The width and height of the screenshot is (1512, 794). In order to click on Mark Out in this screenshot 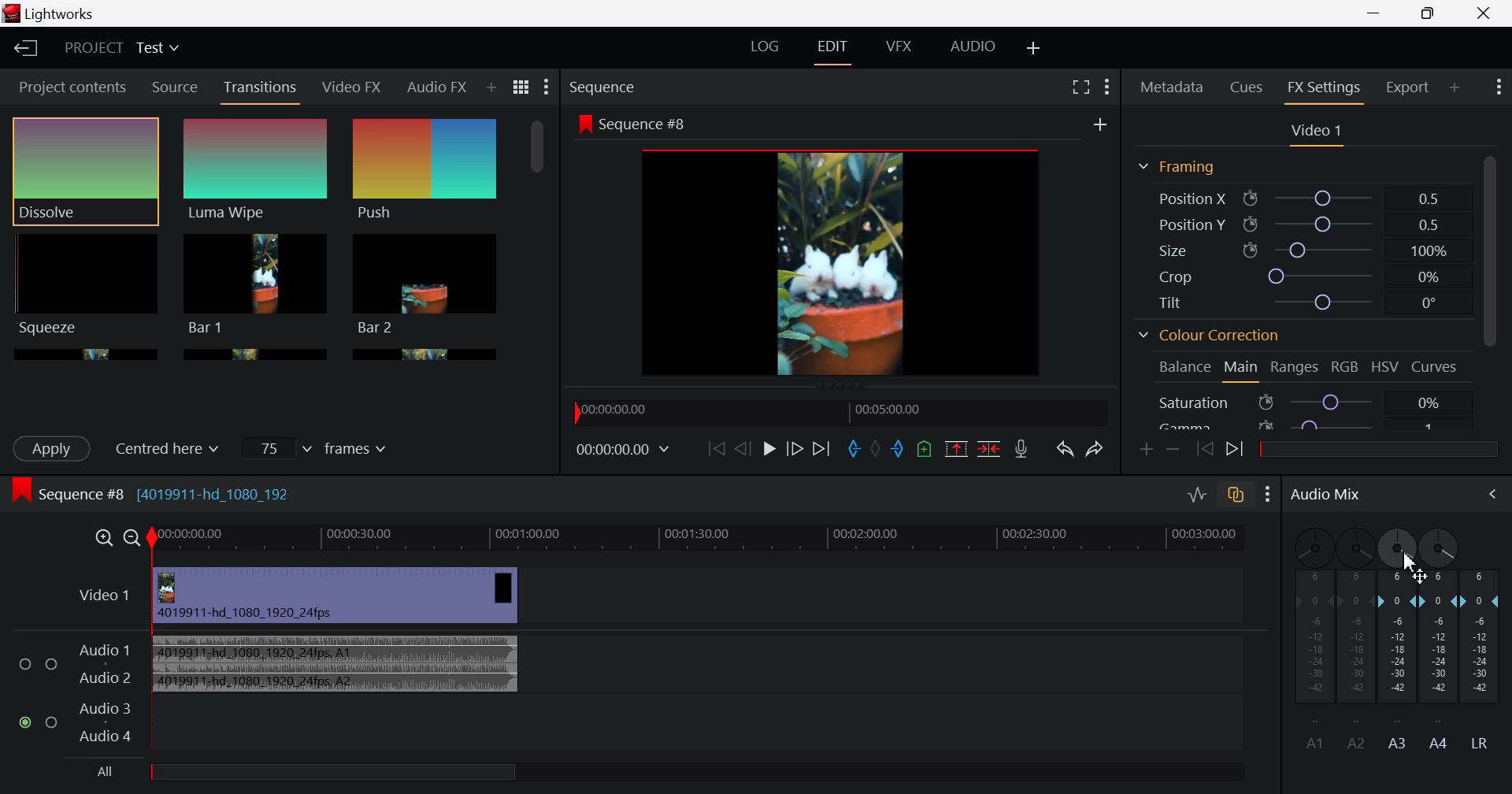, I will do `click(898, 449)`.